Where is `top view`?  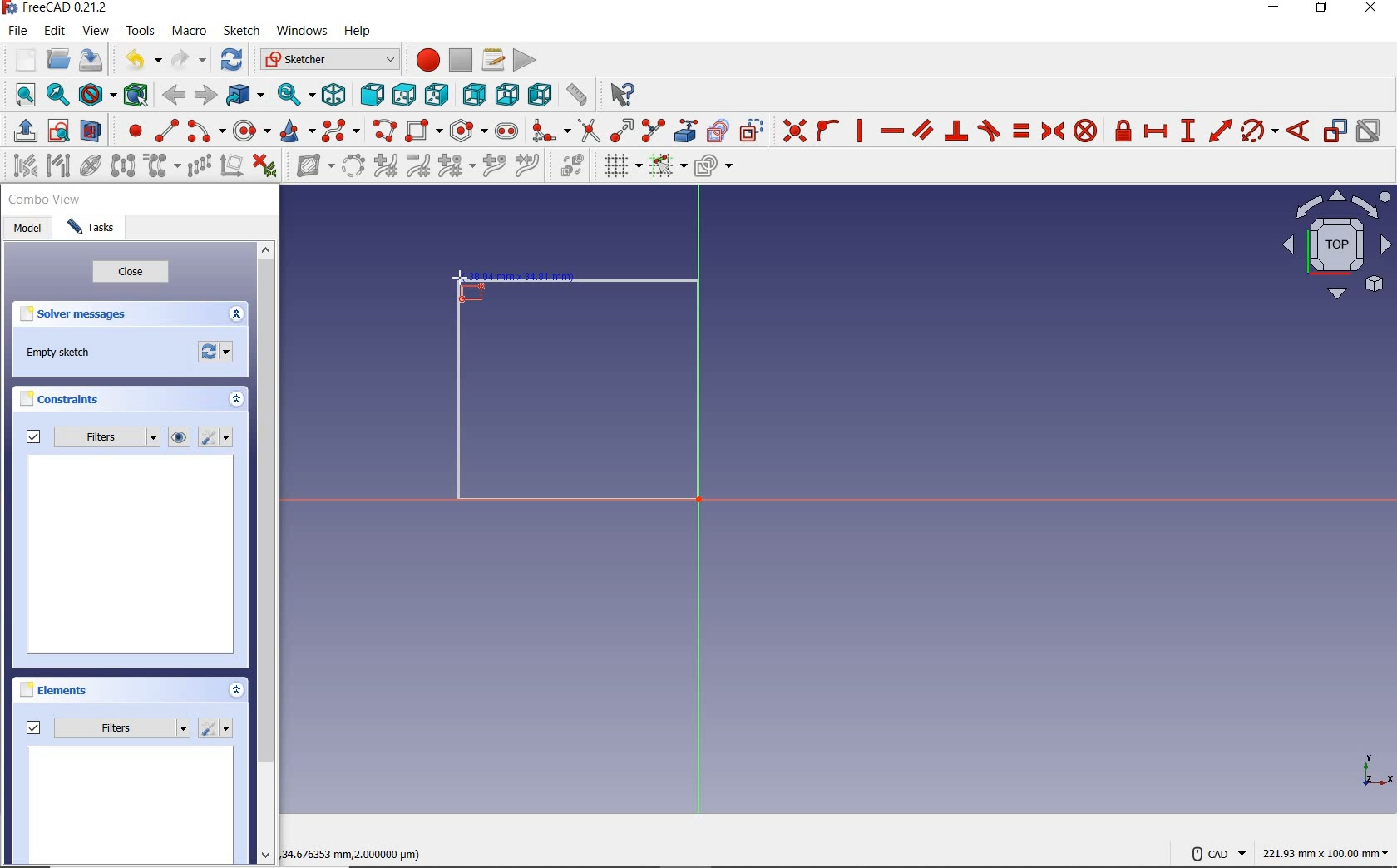 top view is located at coordinates (1335, 249).